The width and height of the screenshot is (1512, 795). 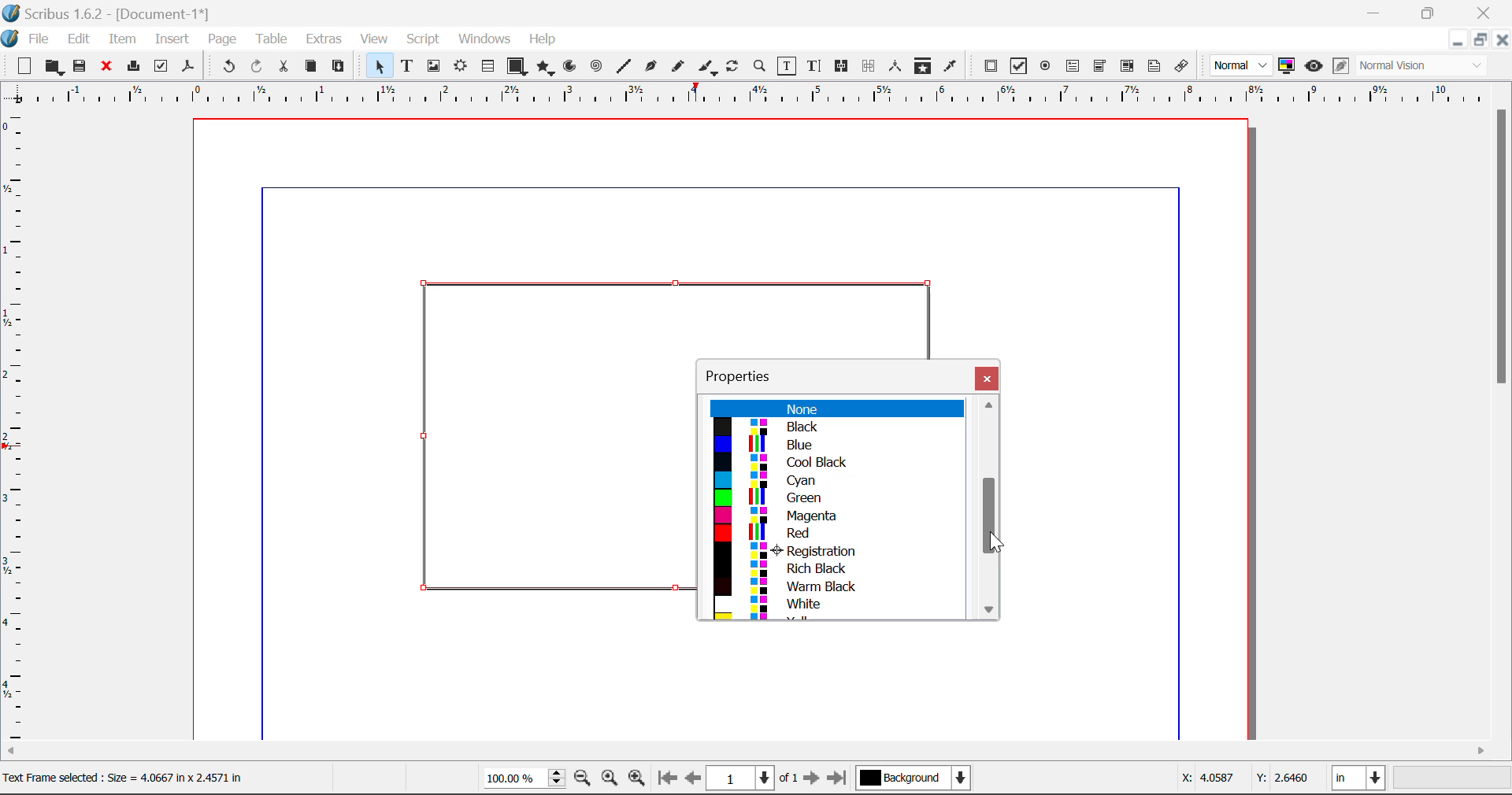 What do you see at coordinates (325, 39) in the screenshot?
I see `Extras` at bounding box center [325, 39].